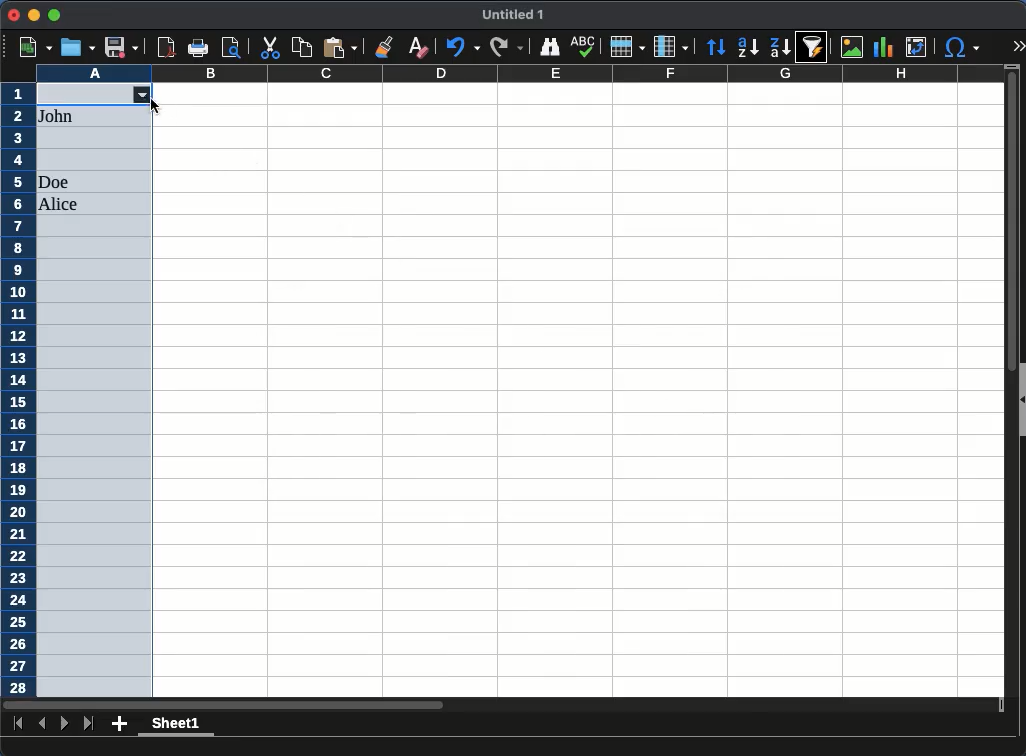 Image resolution: width=1026 pixels, height=756 pixels. I want to click on next sheet, so click(63, 723).